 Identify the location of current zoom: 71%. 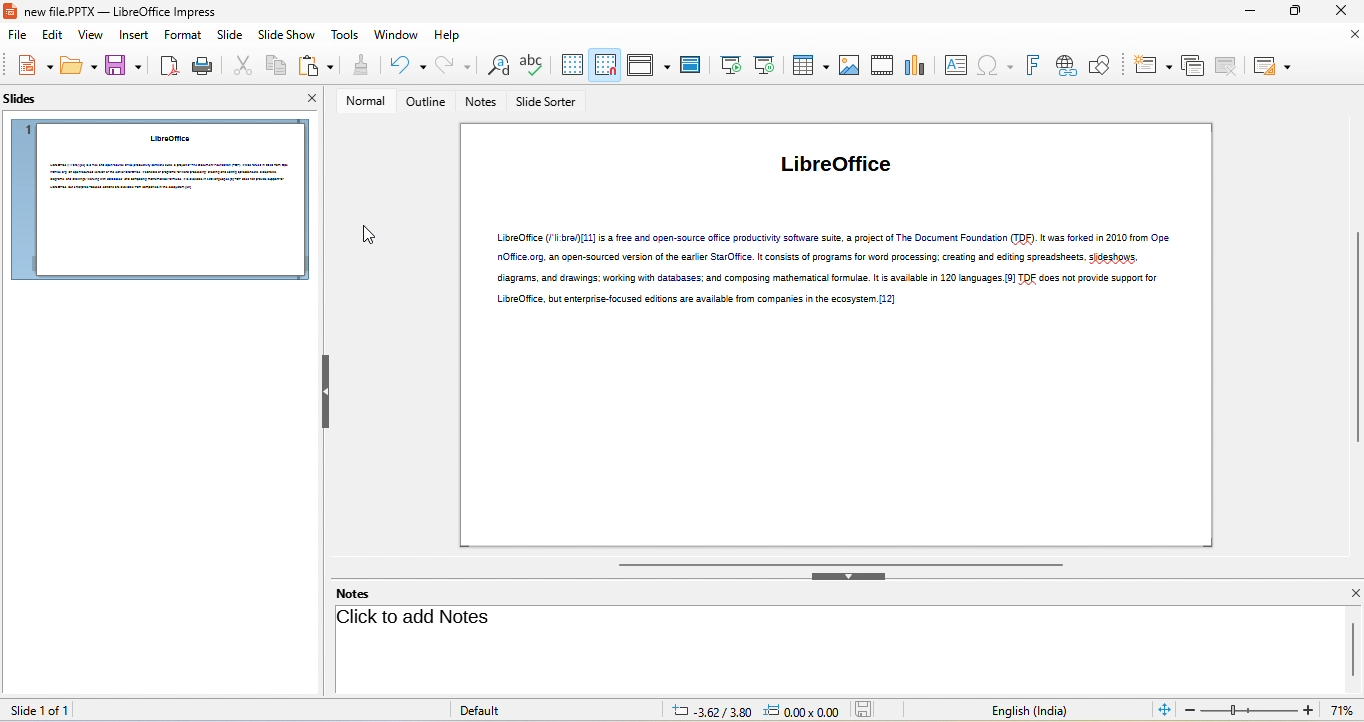
(1344, 709).